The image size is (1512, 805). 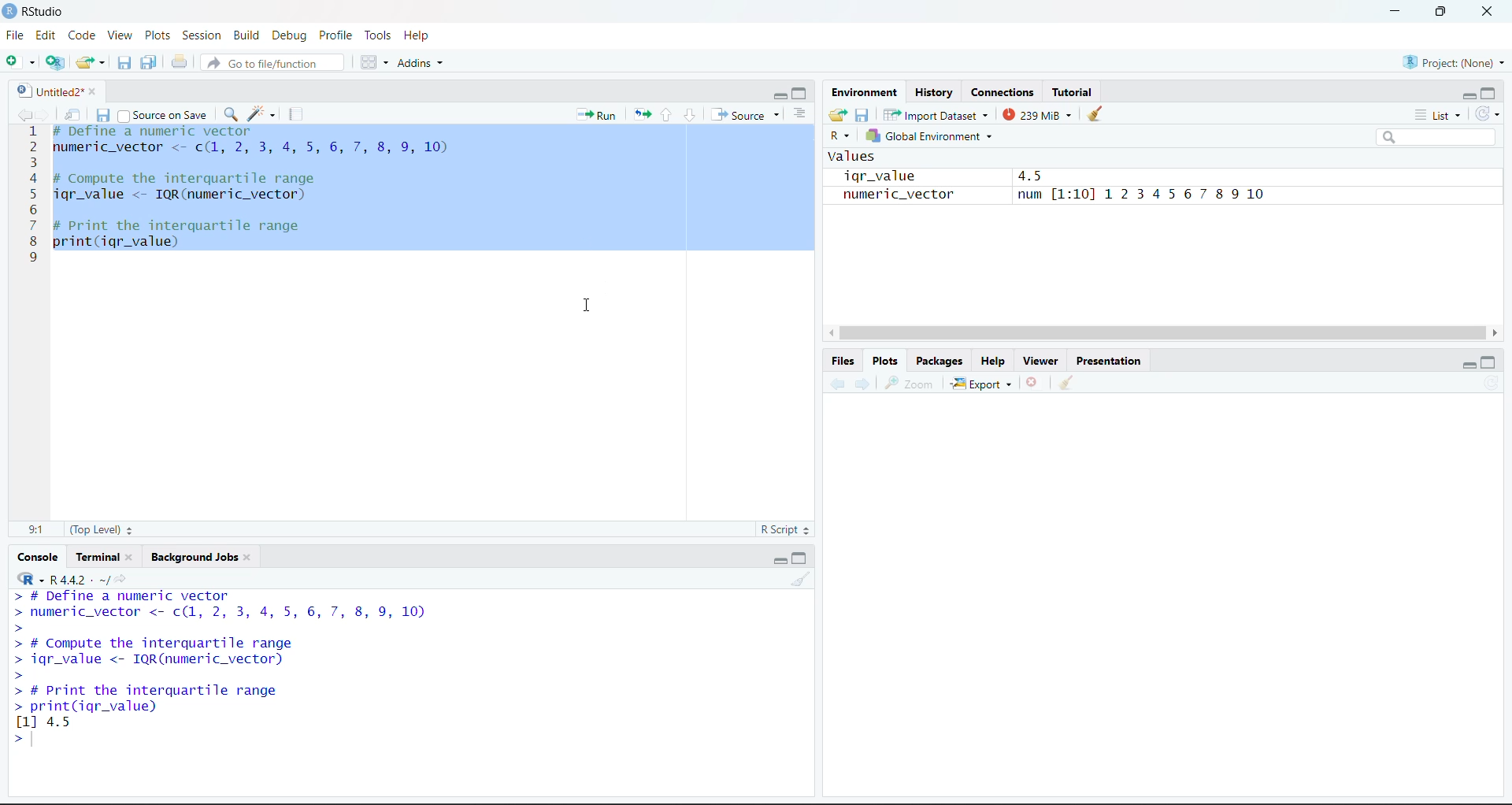 I want to click on Debug, so click(x=291, y=35).